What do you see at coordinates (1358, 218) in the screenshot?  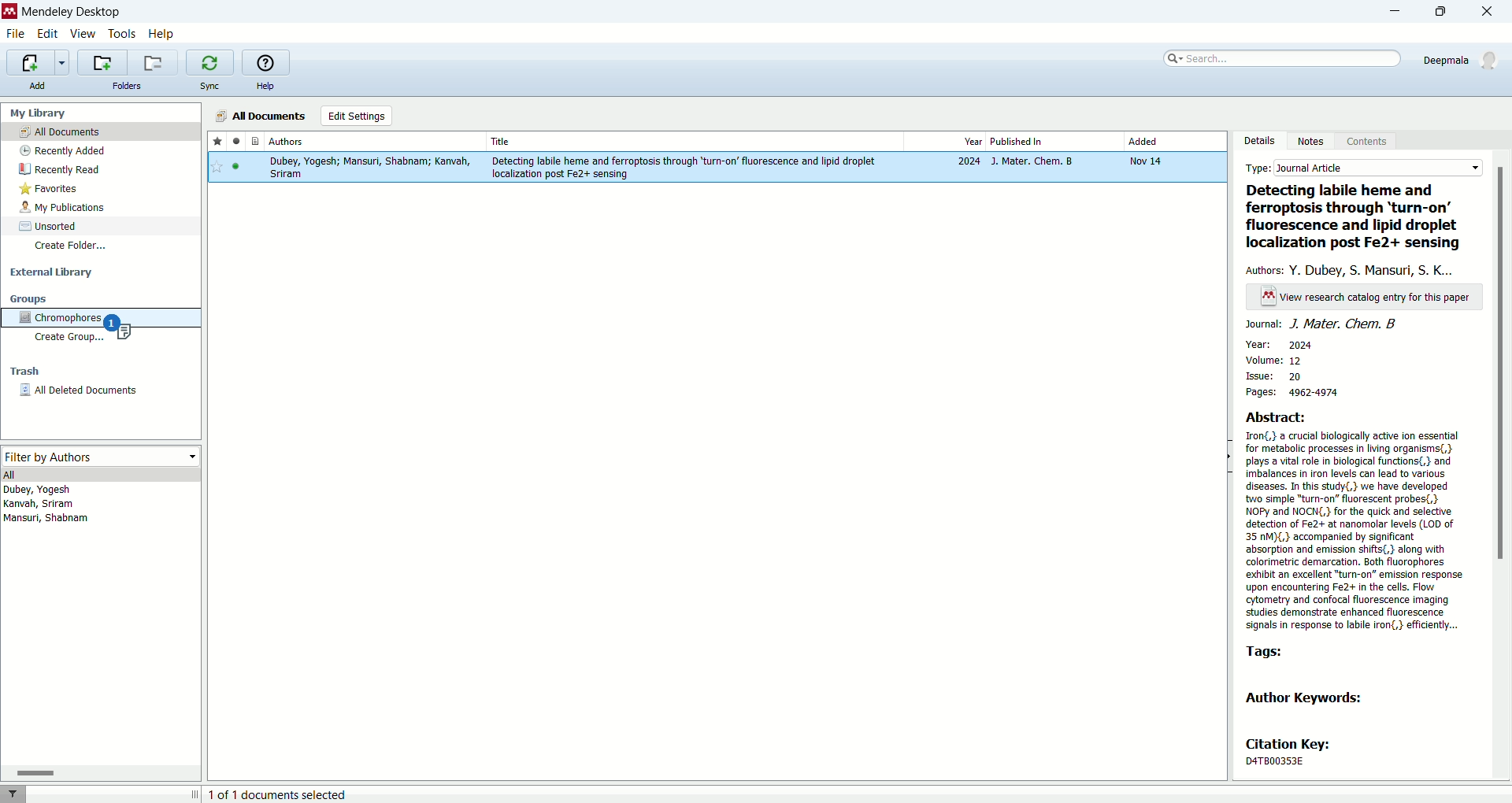 I see `Detecting labile heme and
ferroptosis through ‘turn-on’
fluorescence and lipid droplet
localization post Fe2+ sensing` at bounding box center [1358, 218].